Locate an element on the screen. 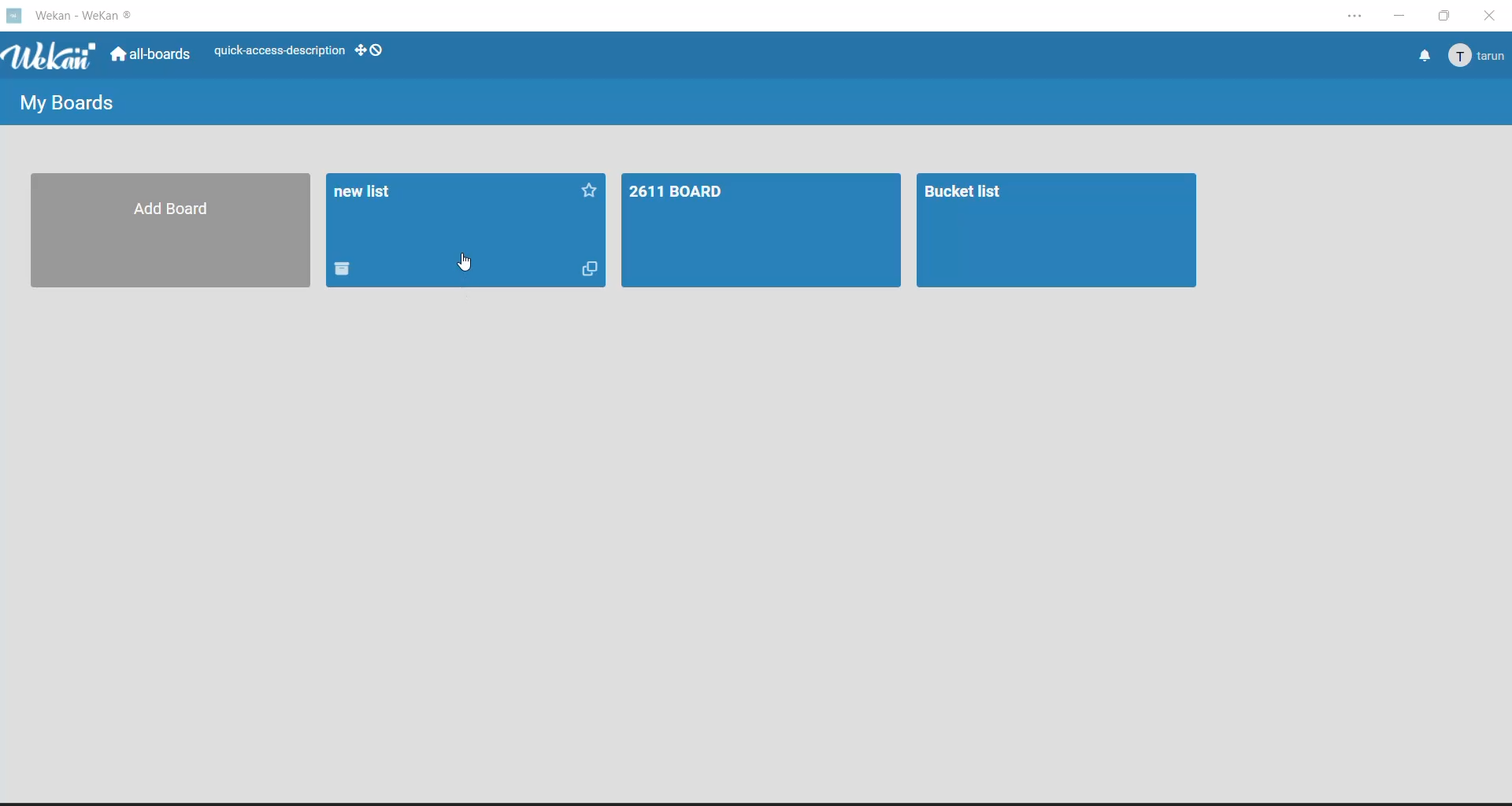 This screenshot has width=1512, height=806. close is located at coordinates (1495, 16).